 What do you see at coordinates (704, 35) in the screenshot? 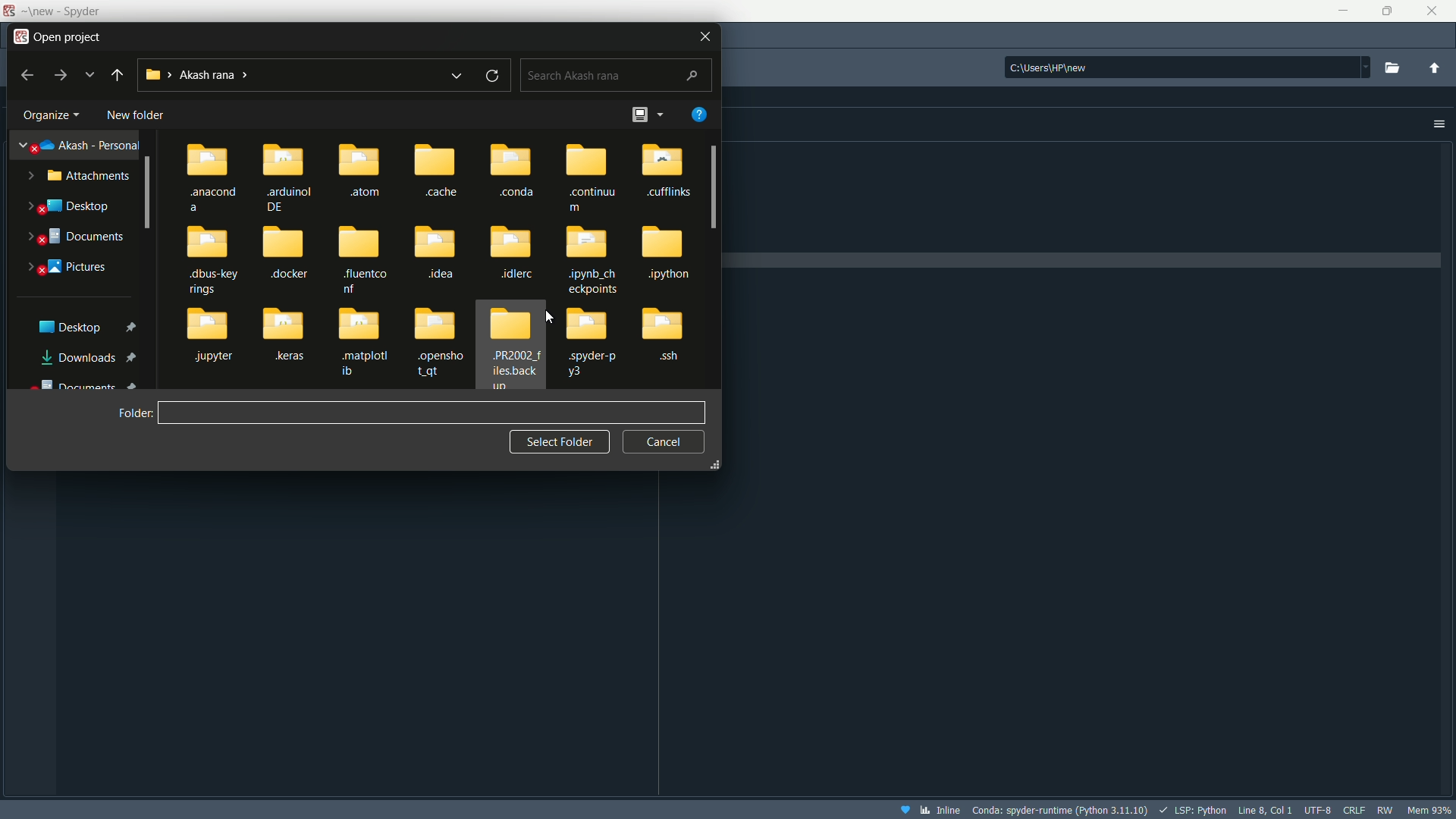
I see `close icon` at bounding box center [704, 35].